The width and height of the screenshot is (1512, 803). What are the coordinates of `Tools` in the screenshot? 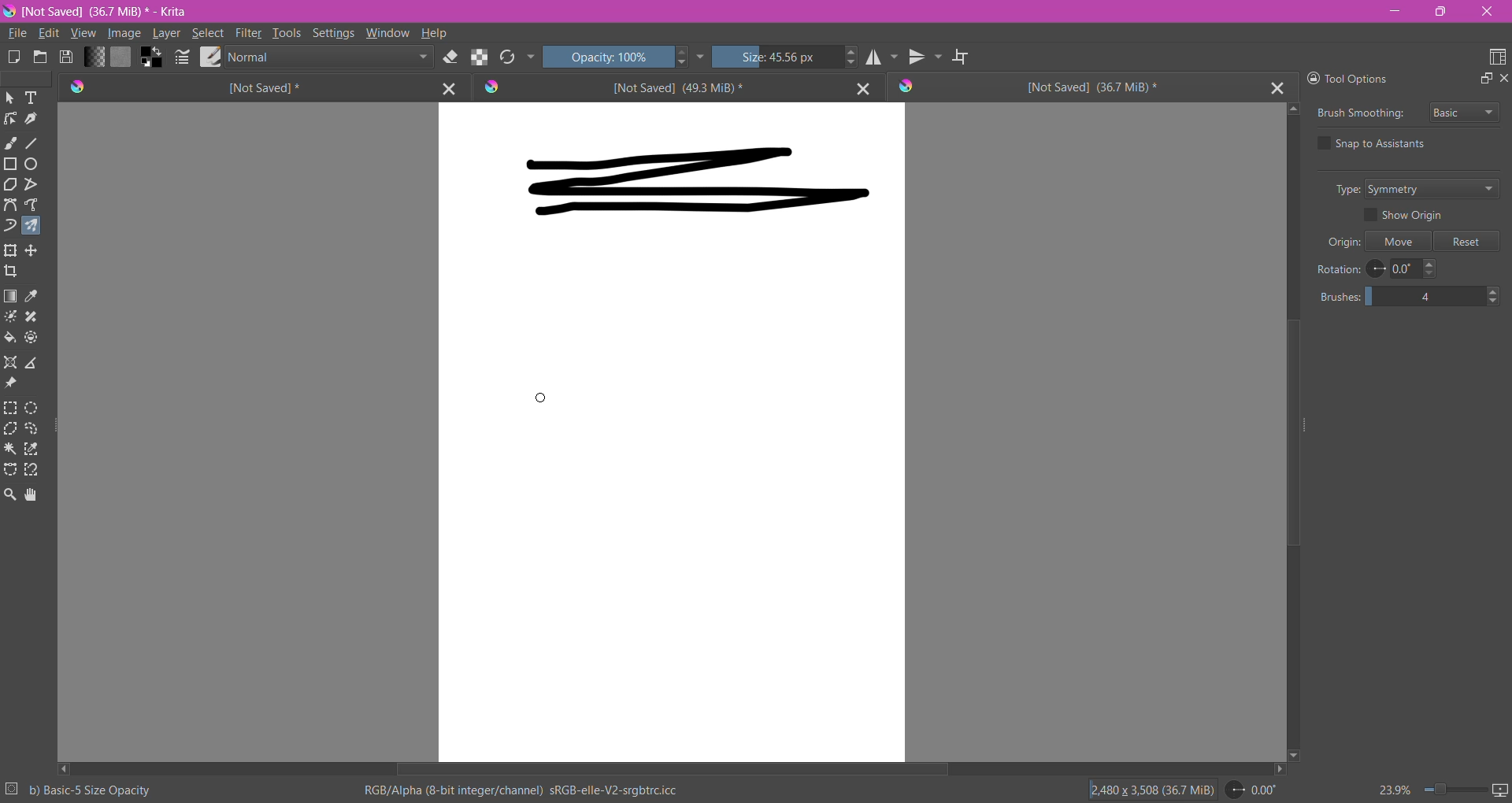 It's located at (287, 31).